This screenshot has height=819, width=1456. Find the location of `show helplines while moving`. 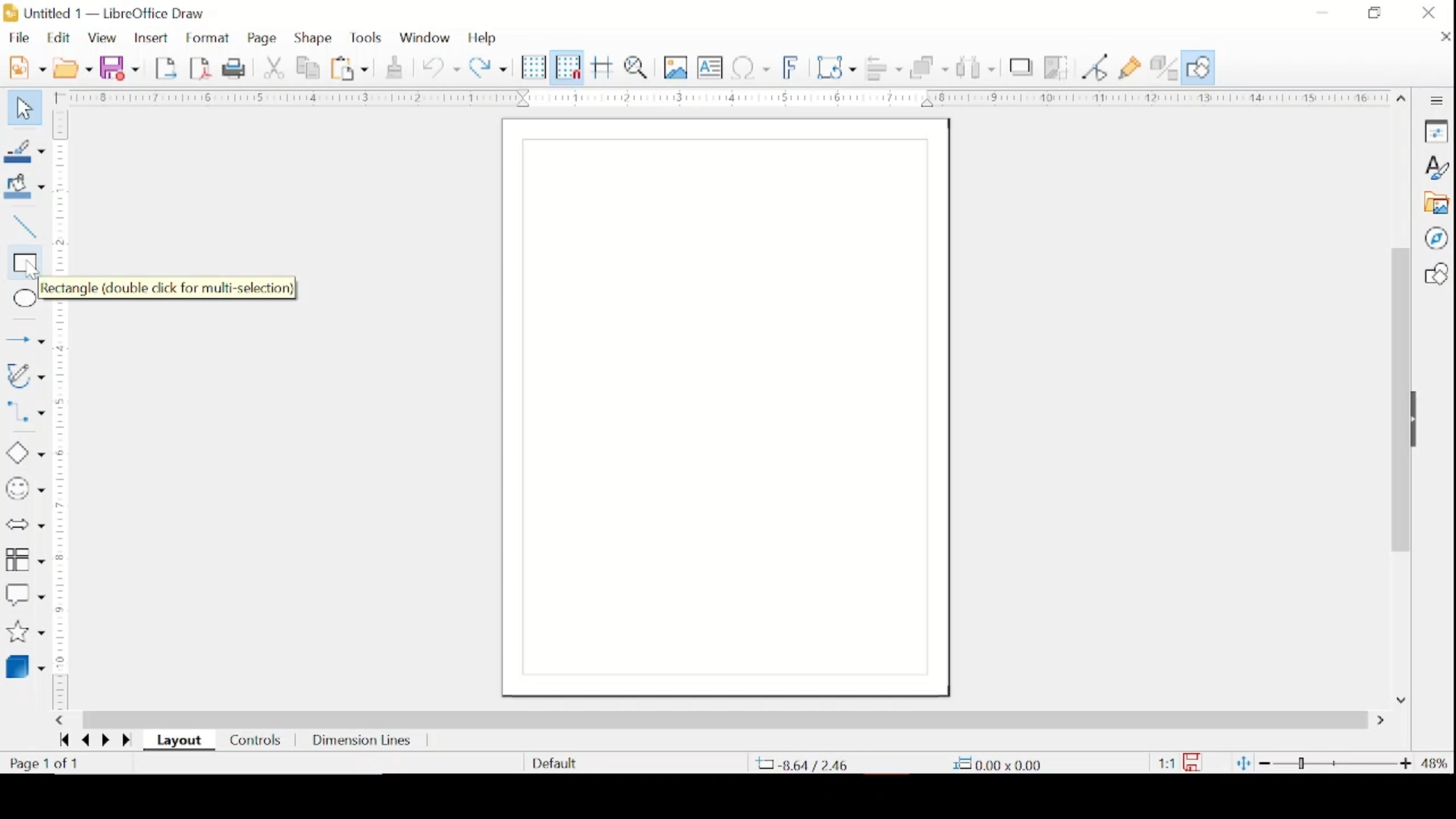

show helplines while moving is located at coordinates (603, 67).